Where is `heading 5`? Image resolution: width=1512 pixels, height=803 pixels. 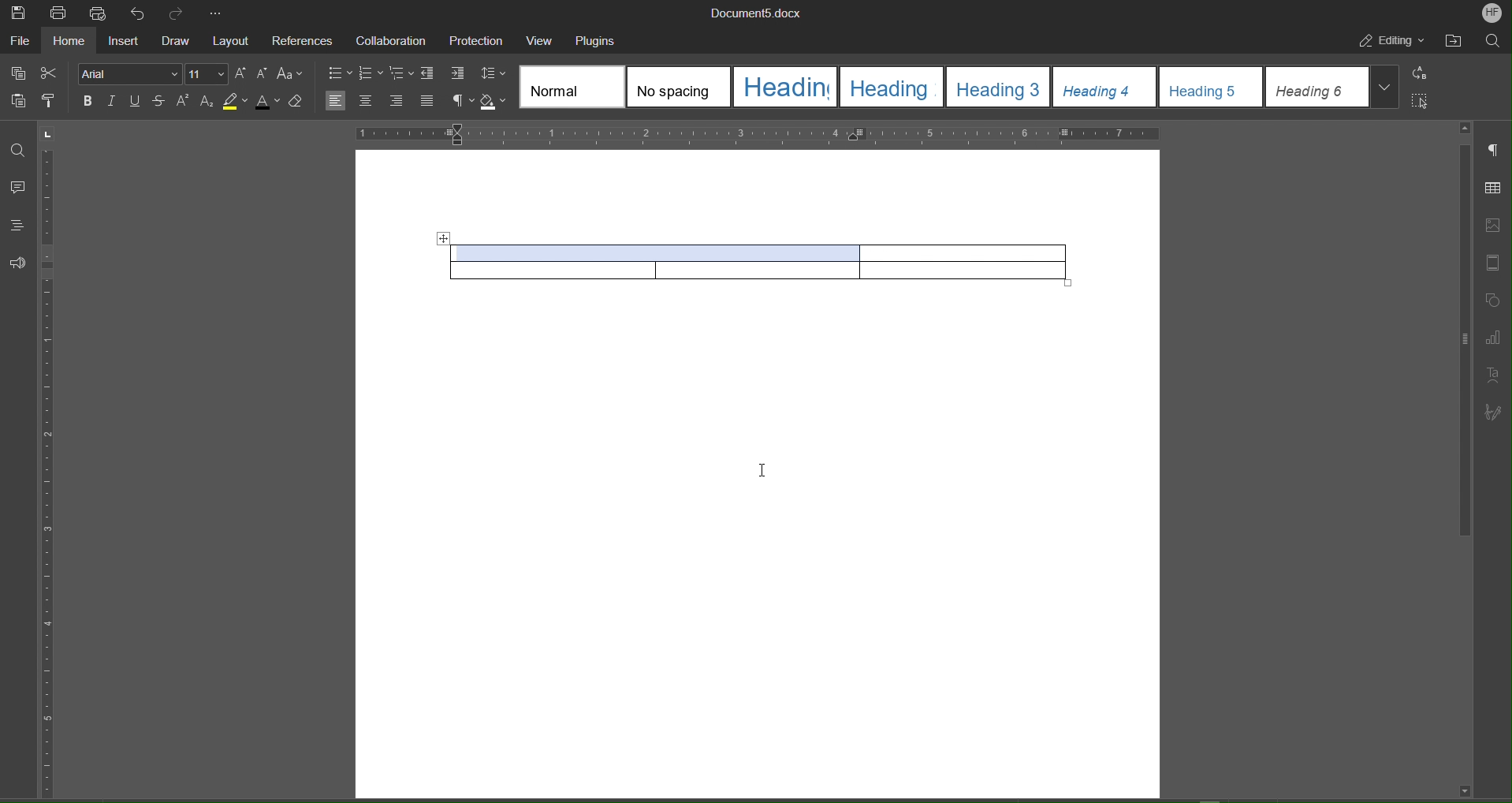 heading 5 is located at coordinates (1212, 87).